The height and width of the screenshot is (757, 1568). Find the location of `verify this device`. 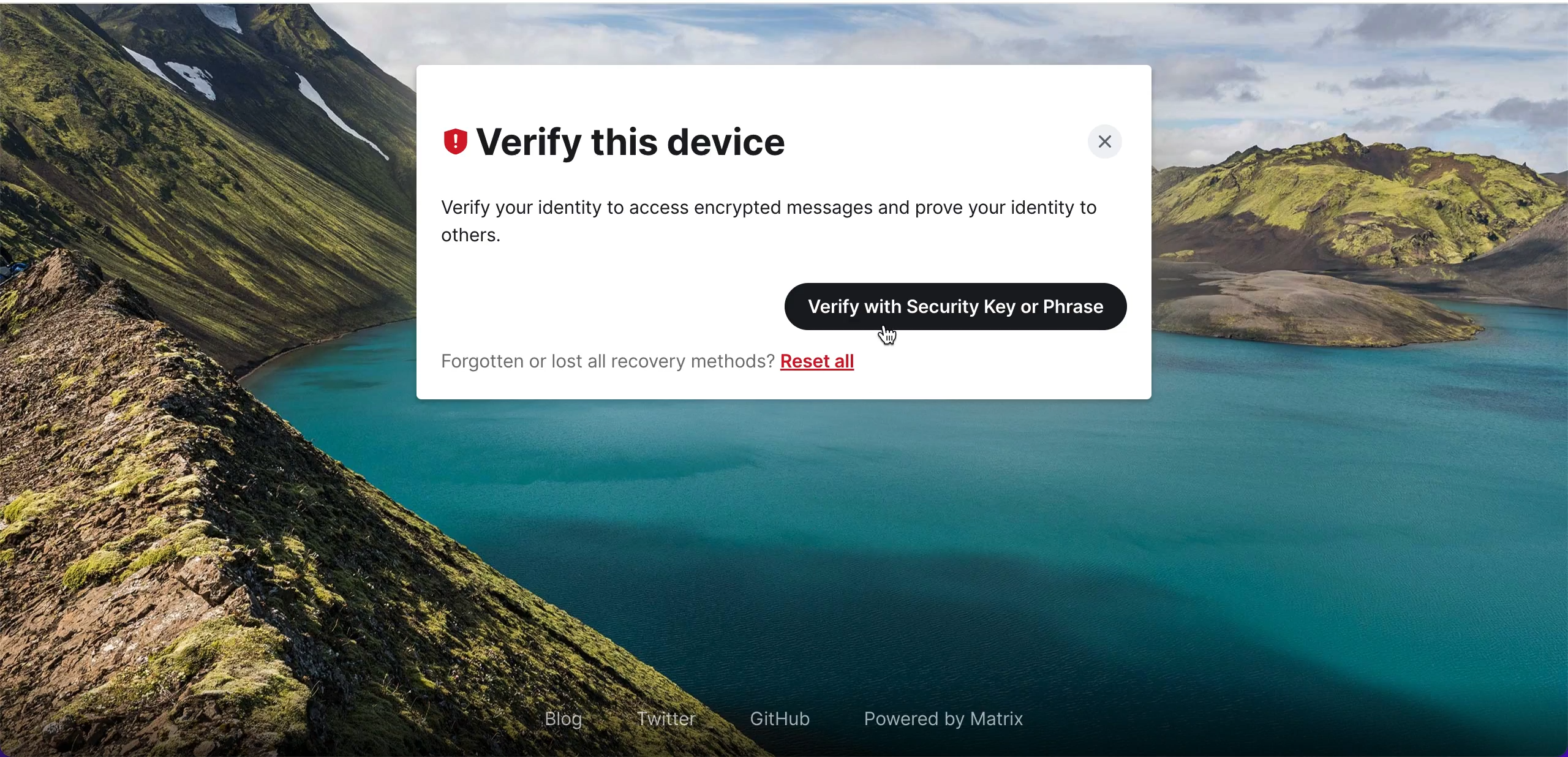

verify this device is located at coordinates (646, 145).